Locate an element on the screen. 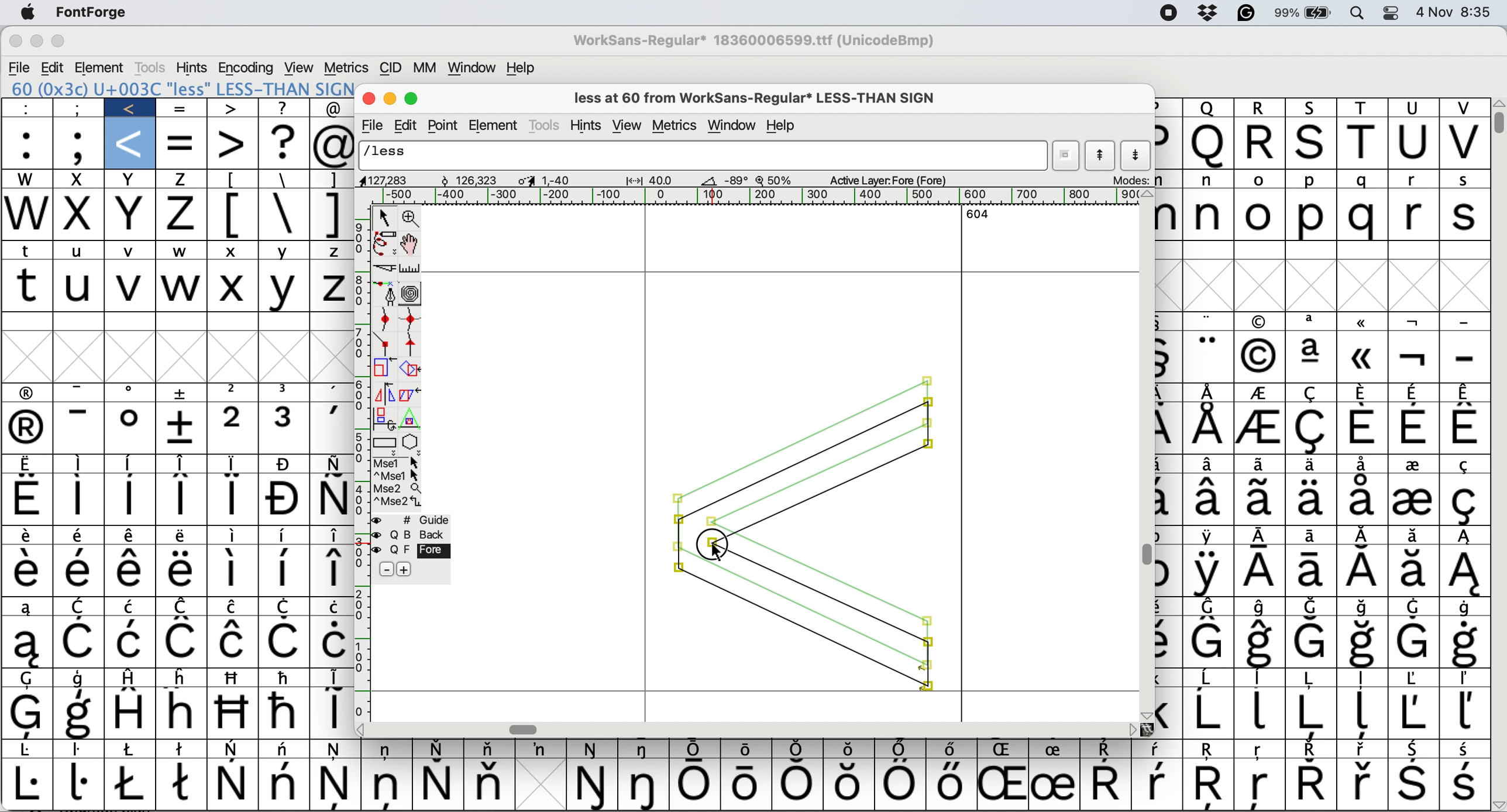 The height and width of the screenshot is (812, 1507). w is located at coordinates (27, 178).